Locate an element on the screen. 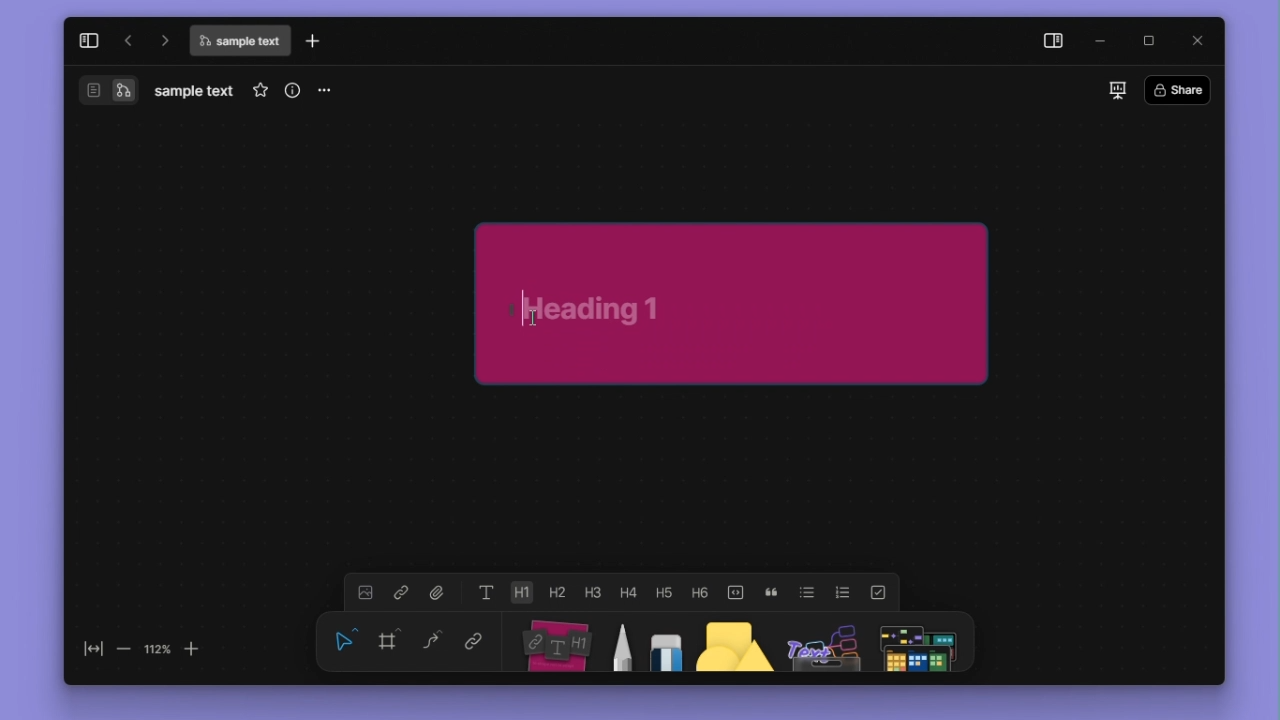 The width and height of the screenshot is (1280, 720). zoom out is located at coordinates (125, 650).